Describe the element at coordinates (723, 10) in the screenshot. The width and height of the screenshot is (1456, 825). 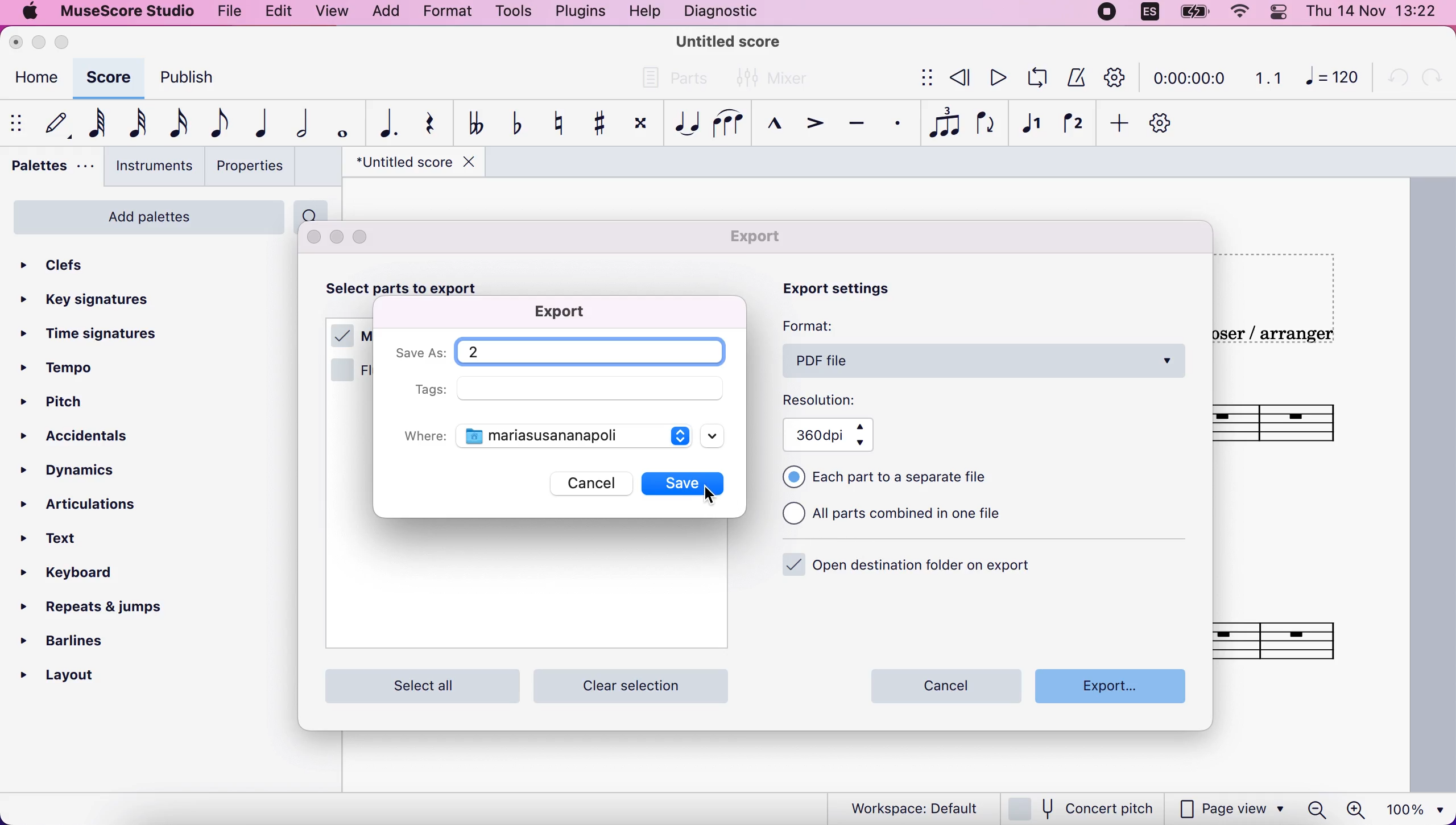
I see `diagnostic` at that location.